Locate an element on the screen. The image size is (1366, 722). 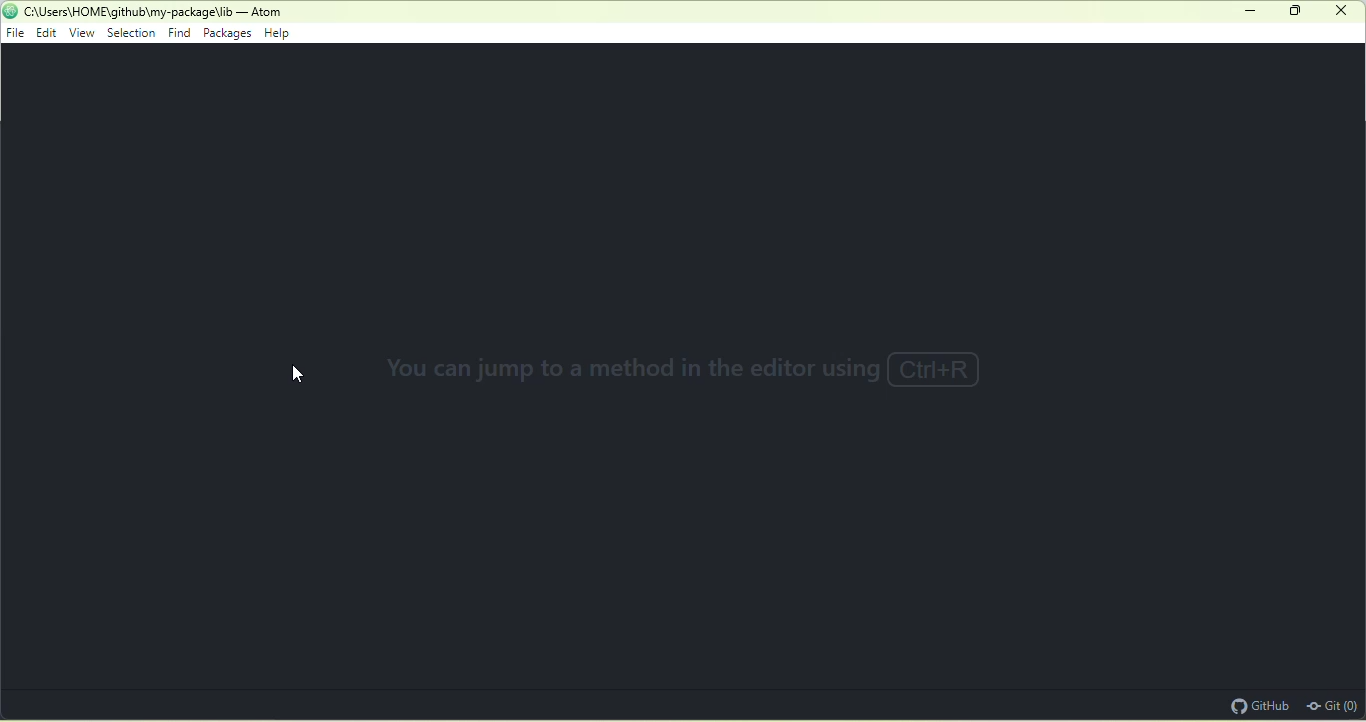
You can jump to a method in the editor using ( Ctrl+R is located at coordinates (675, 374).